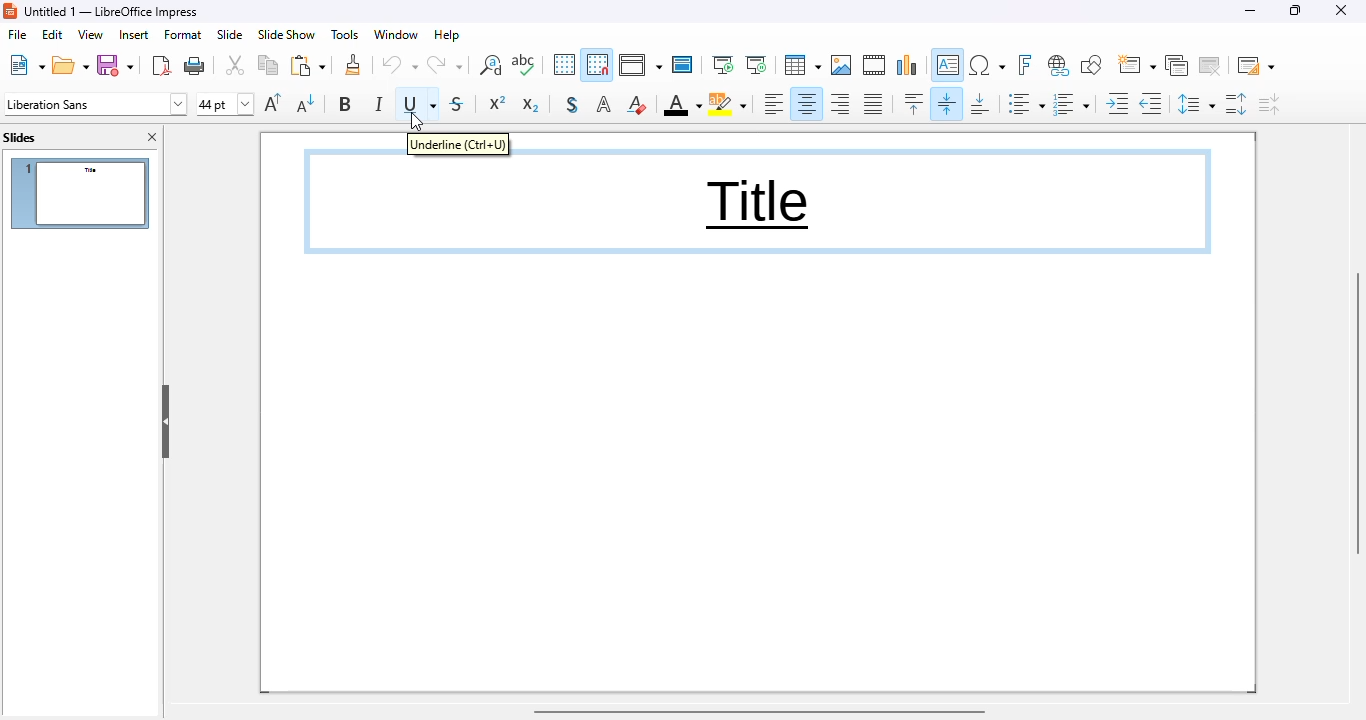  What do you see at coordinates (987, 65) in the screenshot?
I see `insert special characters` at bounding box center [987, 65].